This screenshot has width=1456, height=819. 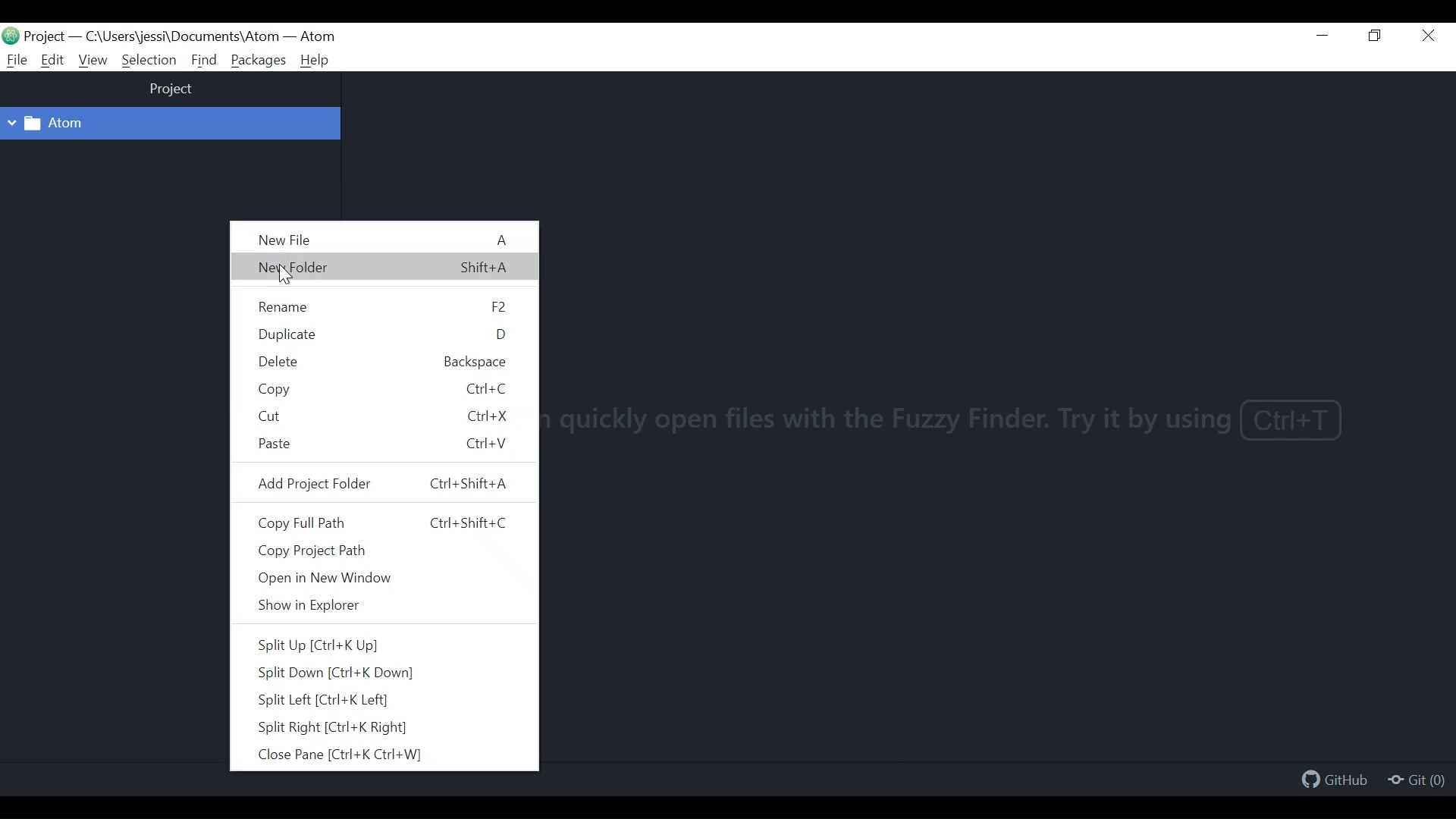 What do you see at coordinates (46, 36) in the screenshot?
I see `Projects` at bounding box center [46, 36].